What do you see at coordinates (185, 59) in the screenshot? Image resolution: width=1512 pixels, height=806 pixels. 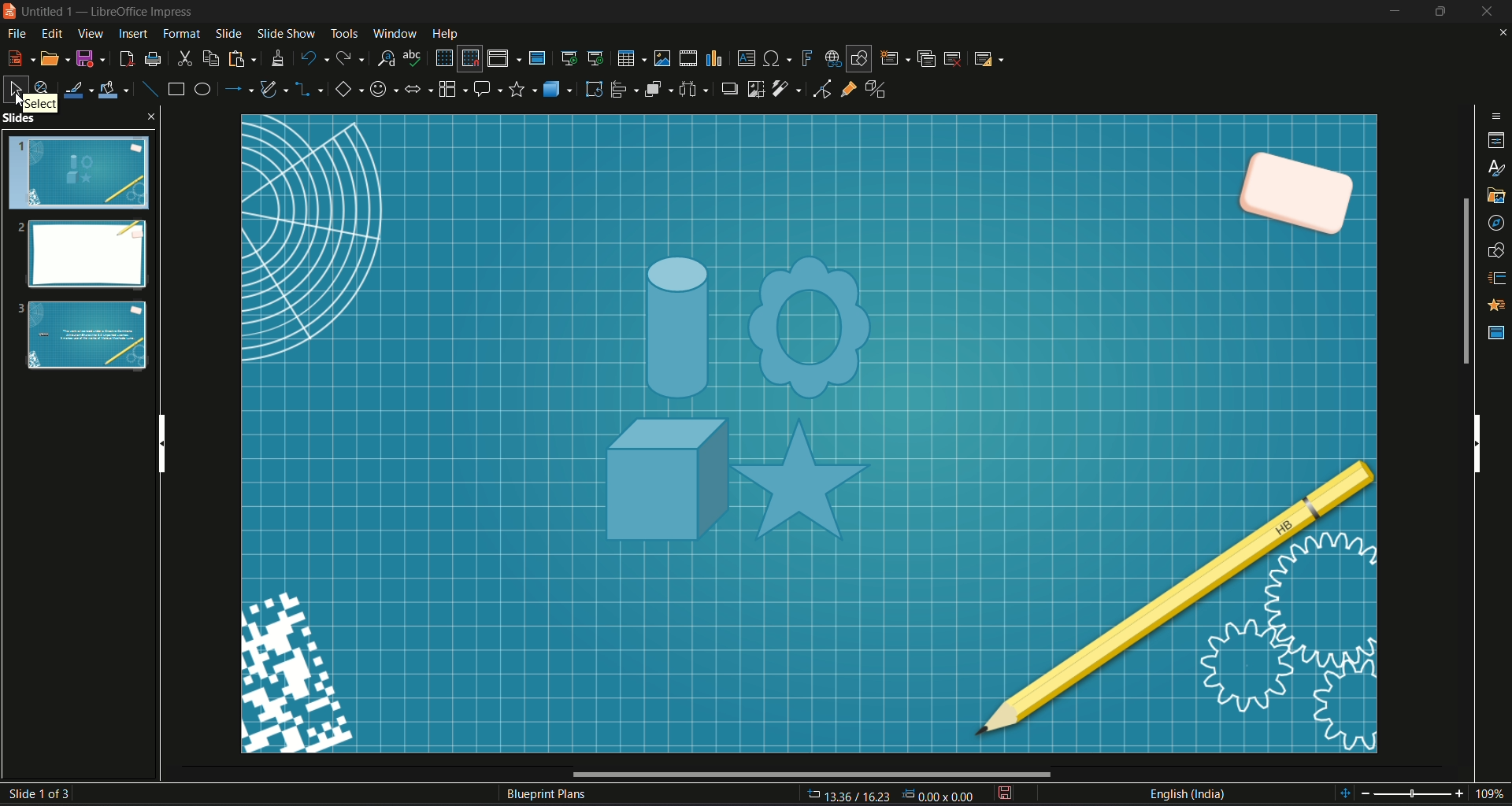 I see `cut` at bounding box center [185, 59].